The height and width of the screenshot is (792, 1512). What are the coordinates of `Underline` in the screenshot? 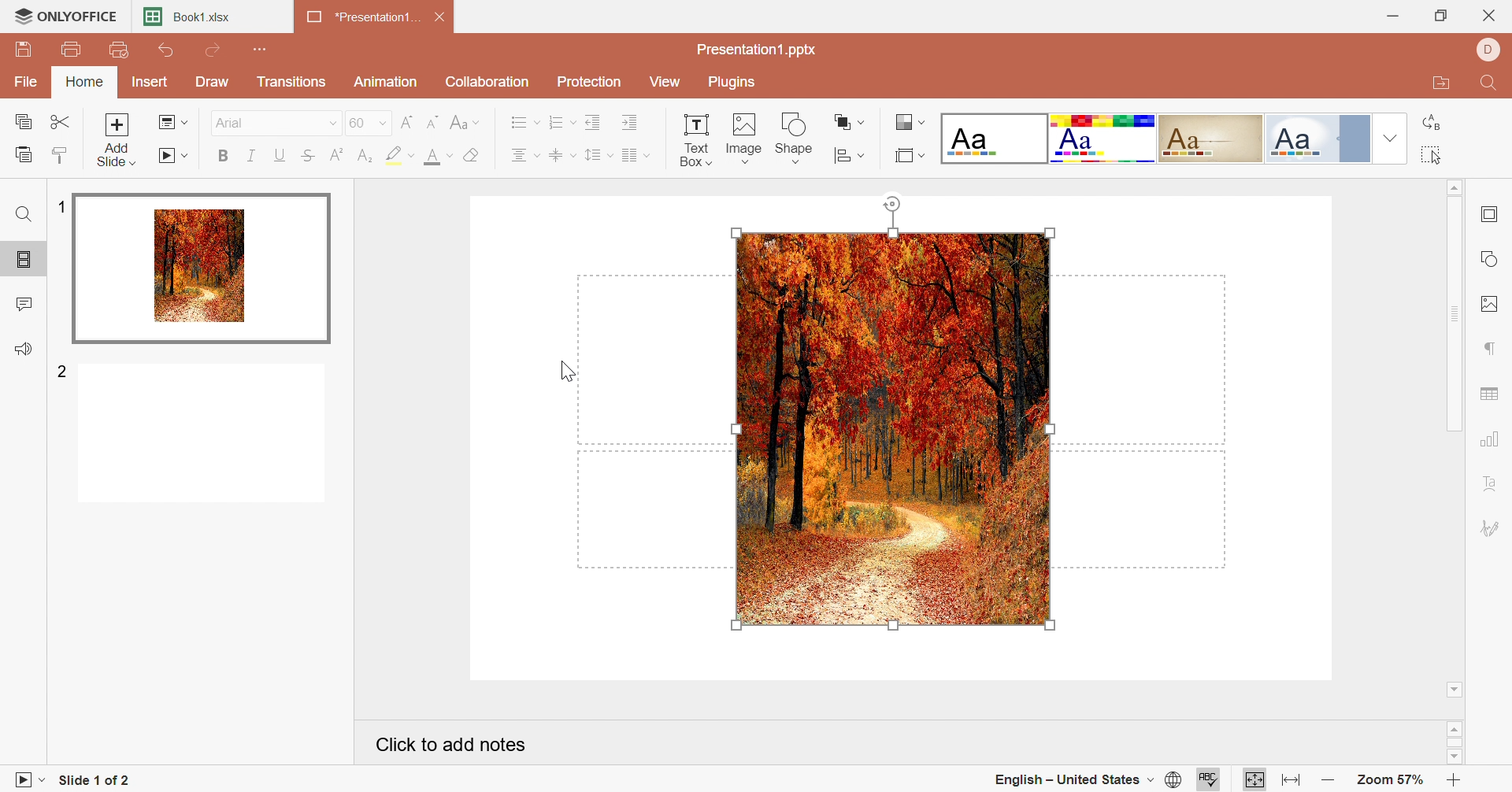 It's located at (280, 154).